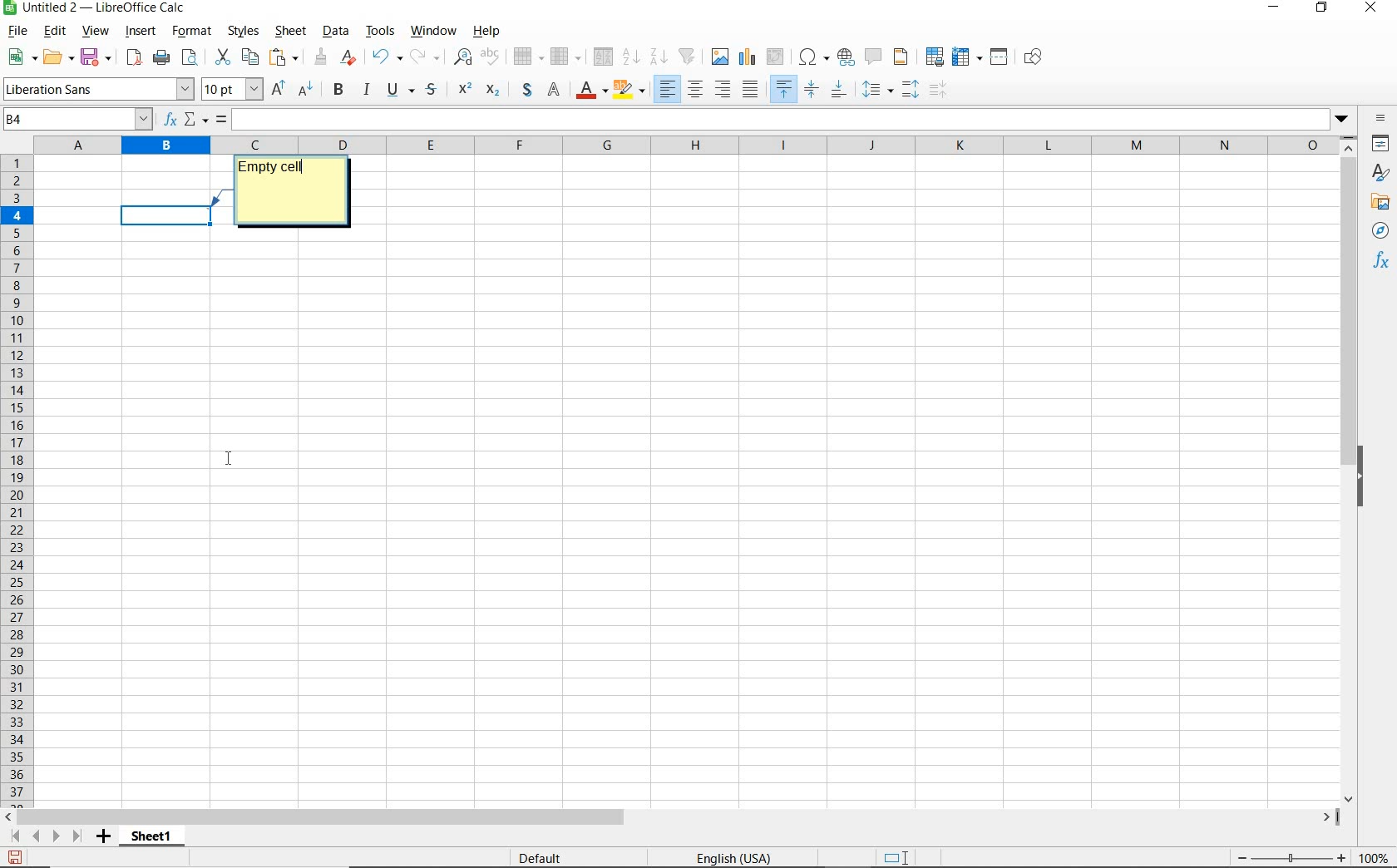 This screenshot has height=868, width=1397. I want to click on new, so click(22, 58).